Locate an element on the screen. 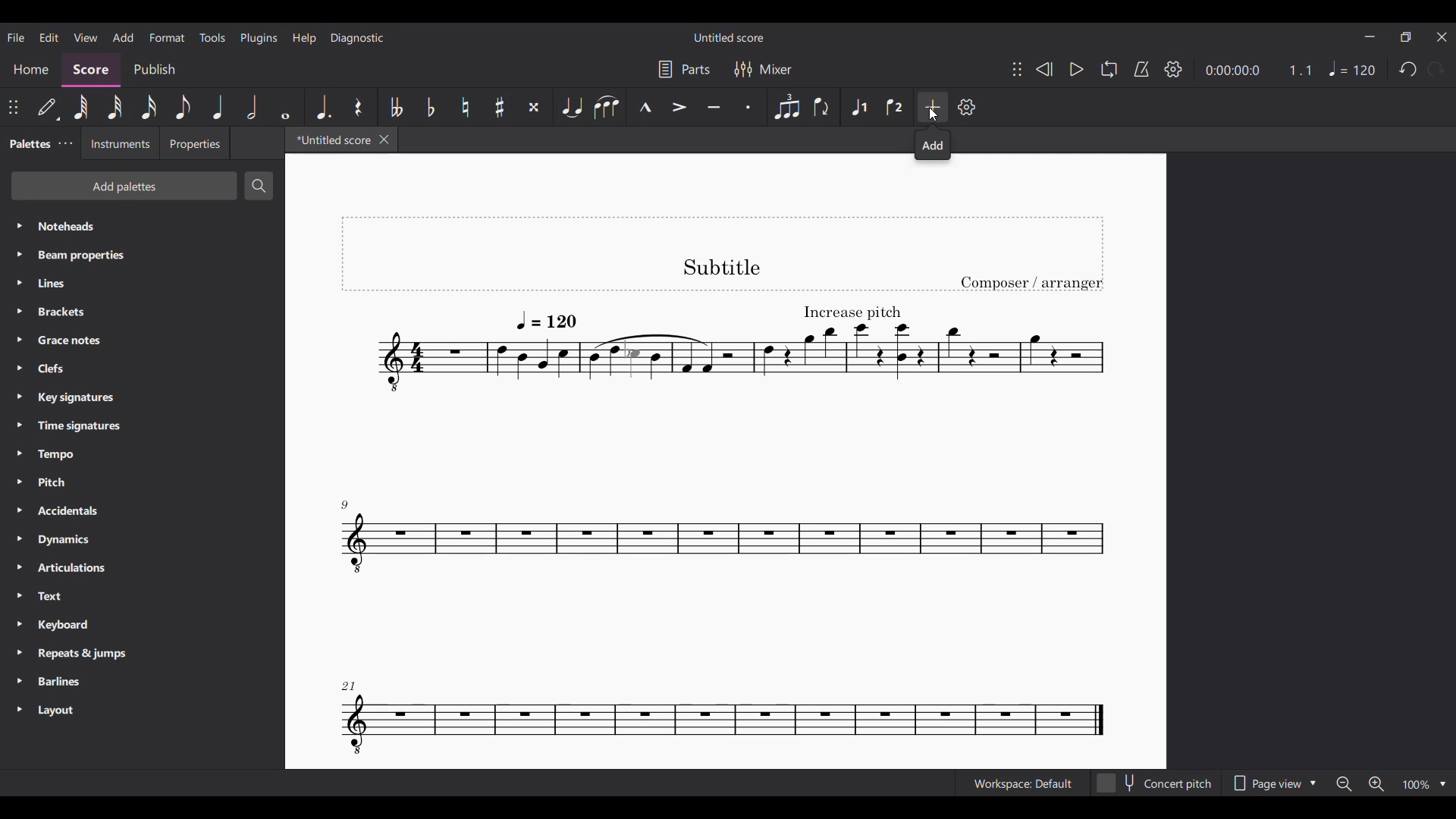  Rest is located at coordinates (359, 107).